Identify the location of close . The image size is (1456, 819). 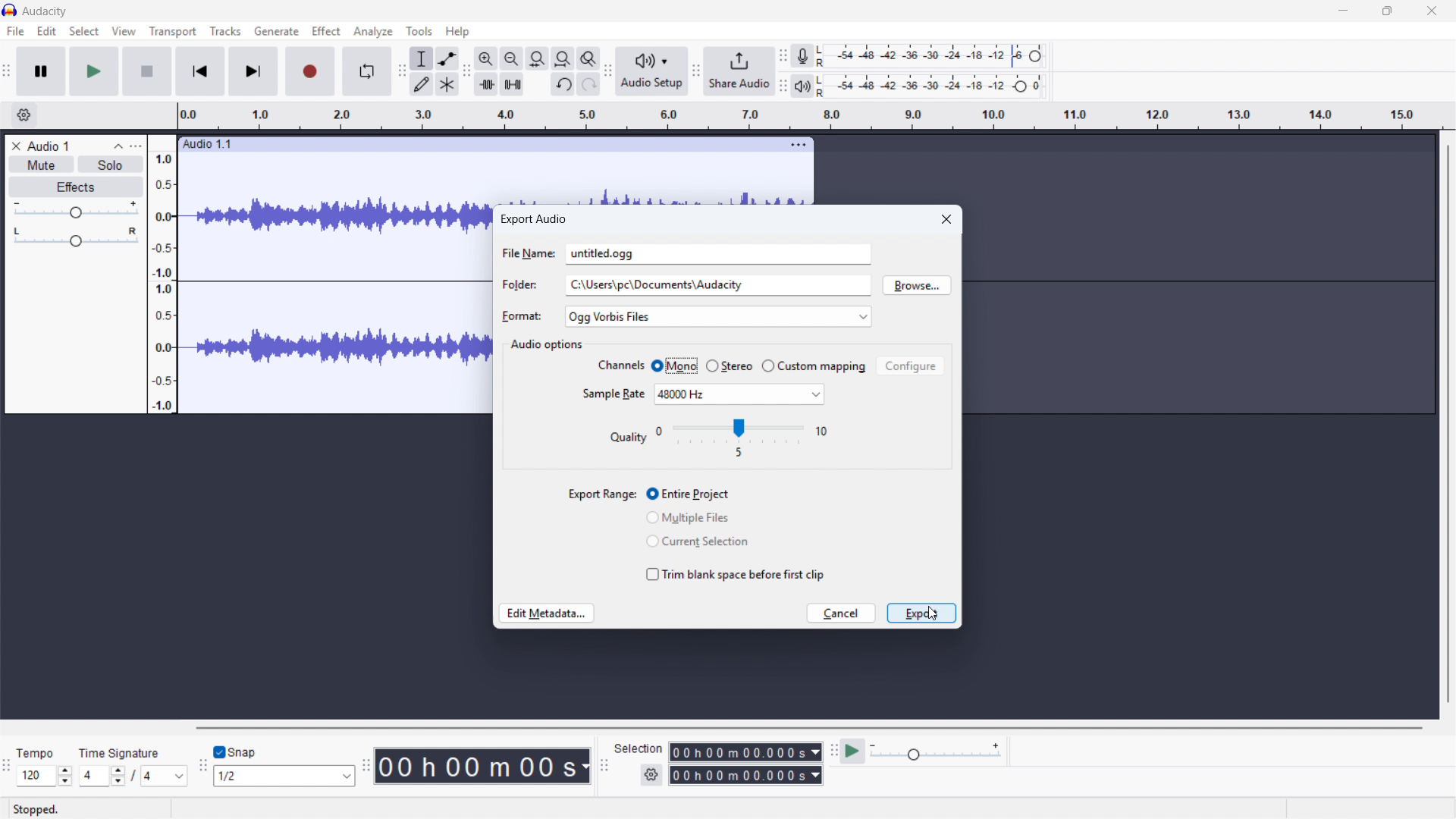
(1432, 11).